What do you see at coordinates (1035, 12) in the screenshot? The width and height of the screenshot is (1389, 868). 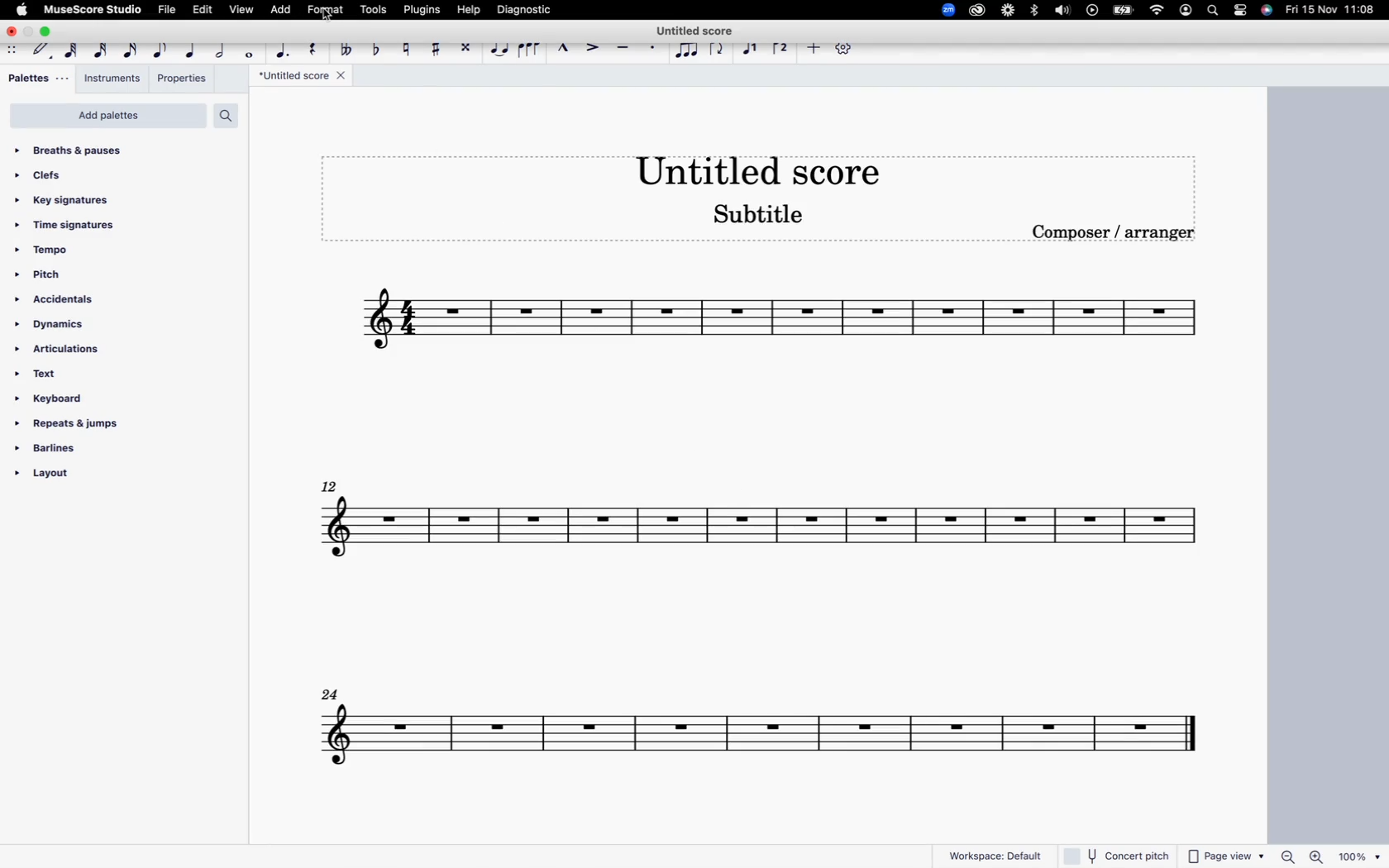 I see `bluetooth` at bounding box center [1035, 12].